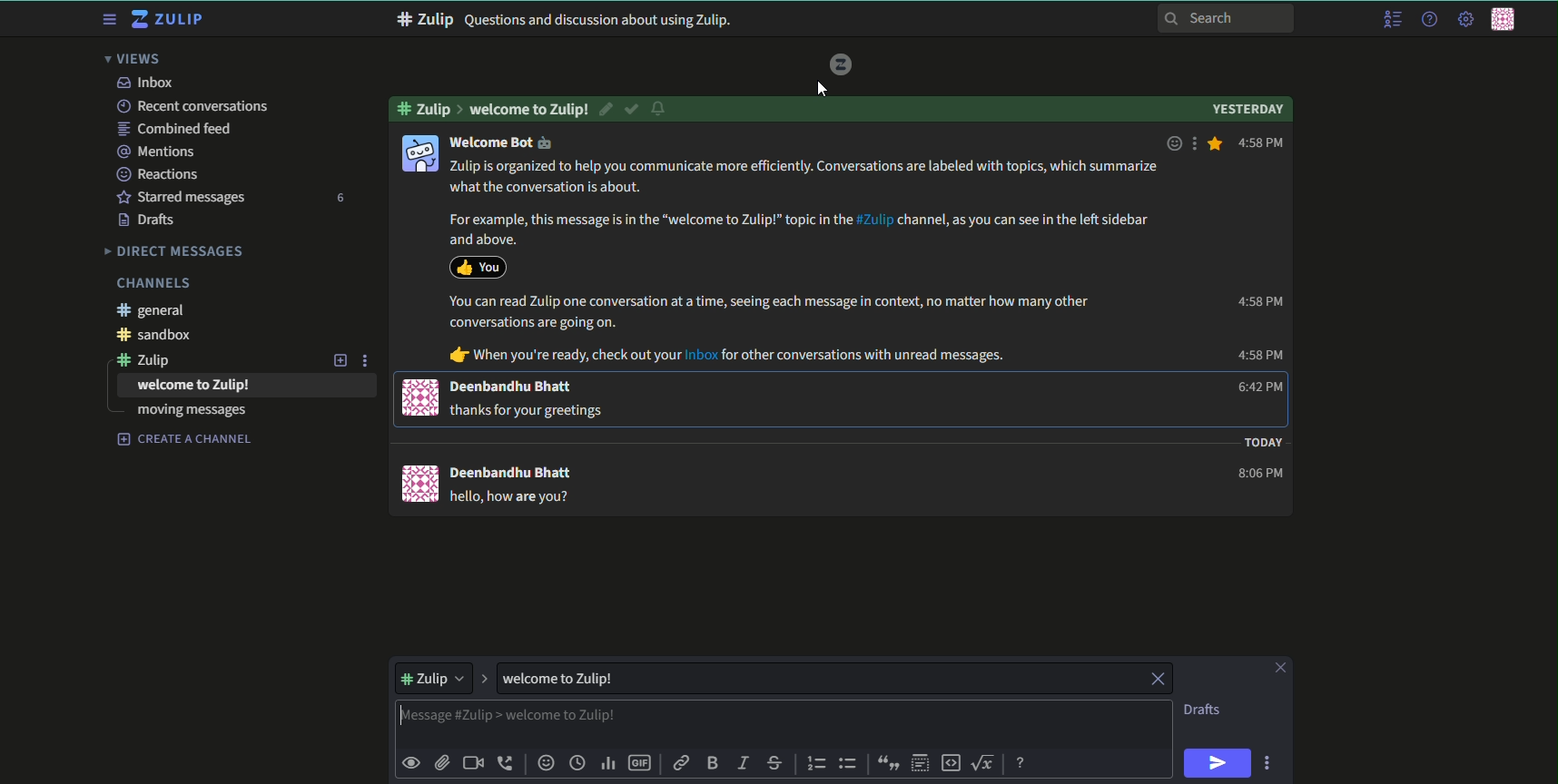  I want to click on resolved, so click(633, 109).